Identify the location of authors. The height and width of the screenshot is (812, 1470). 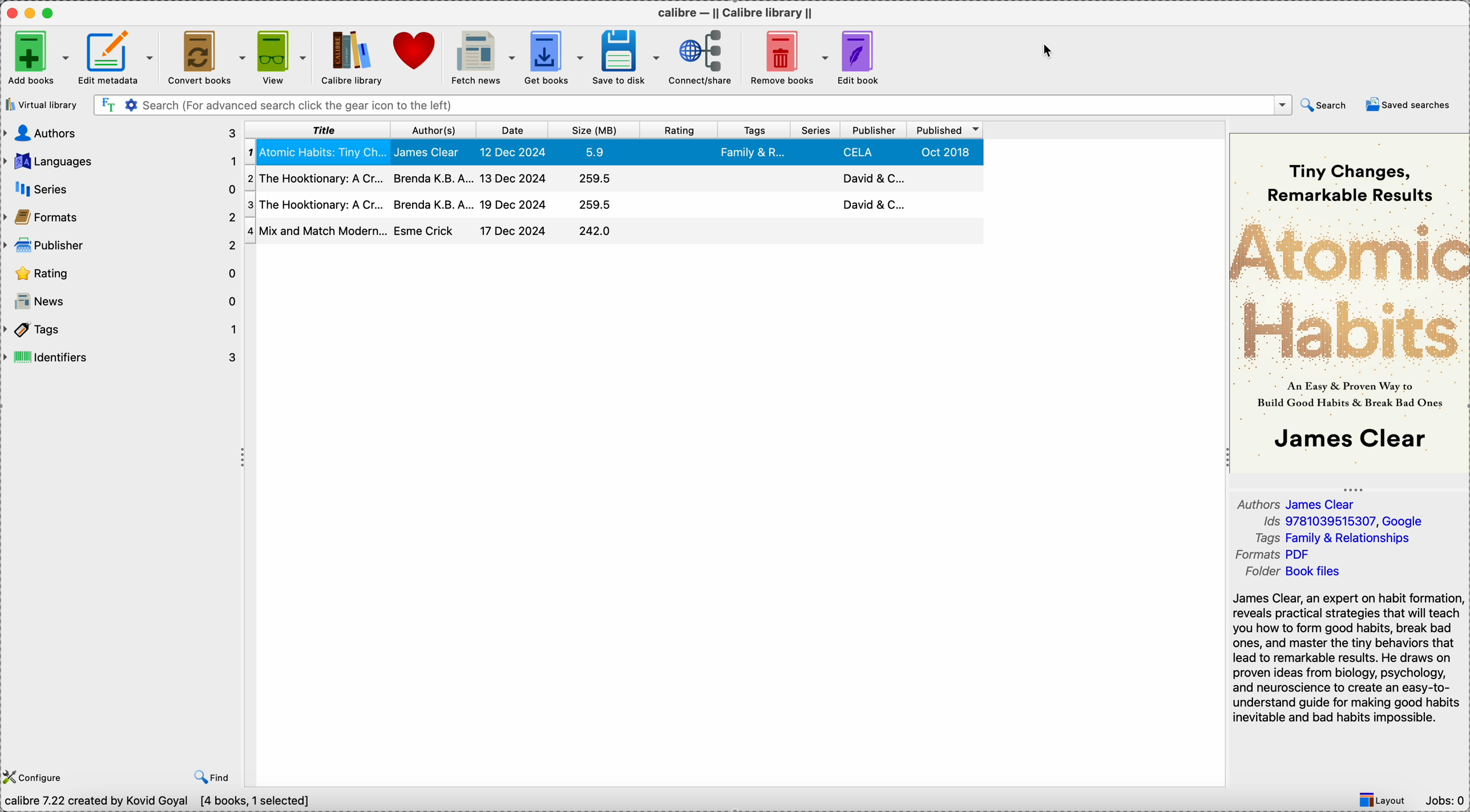
(119, 134).